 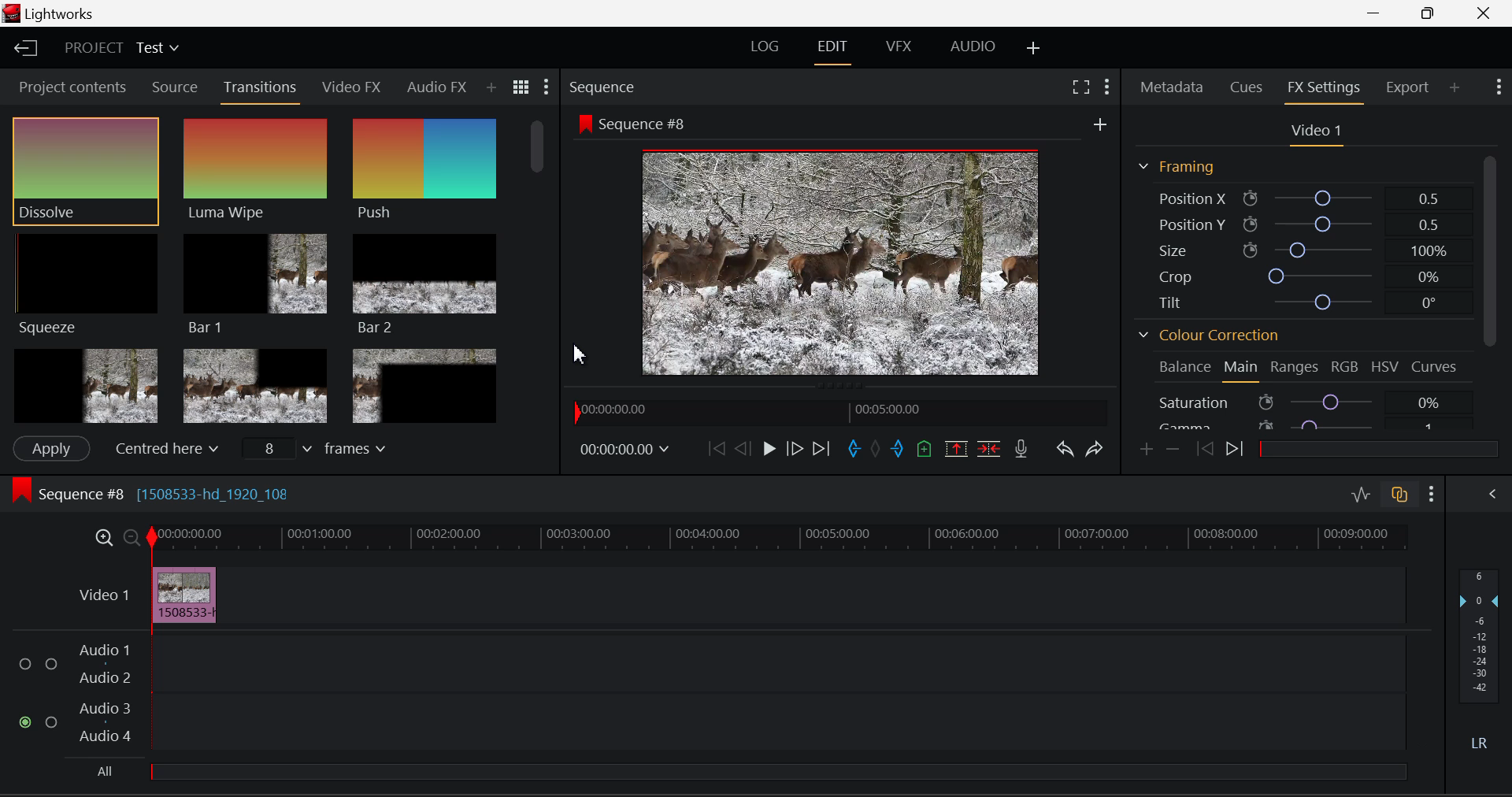 I want to click on Record Voiceover, so click(x=1021, y=449).